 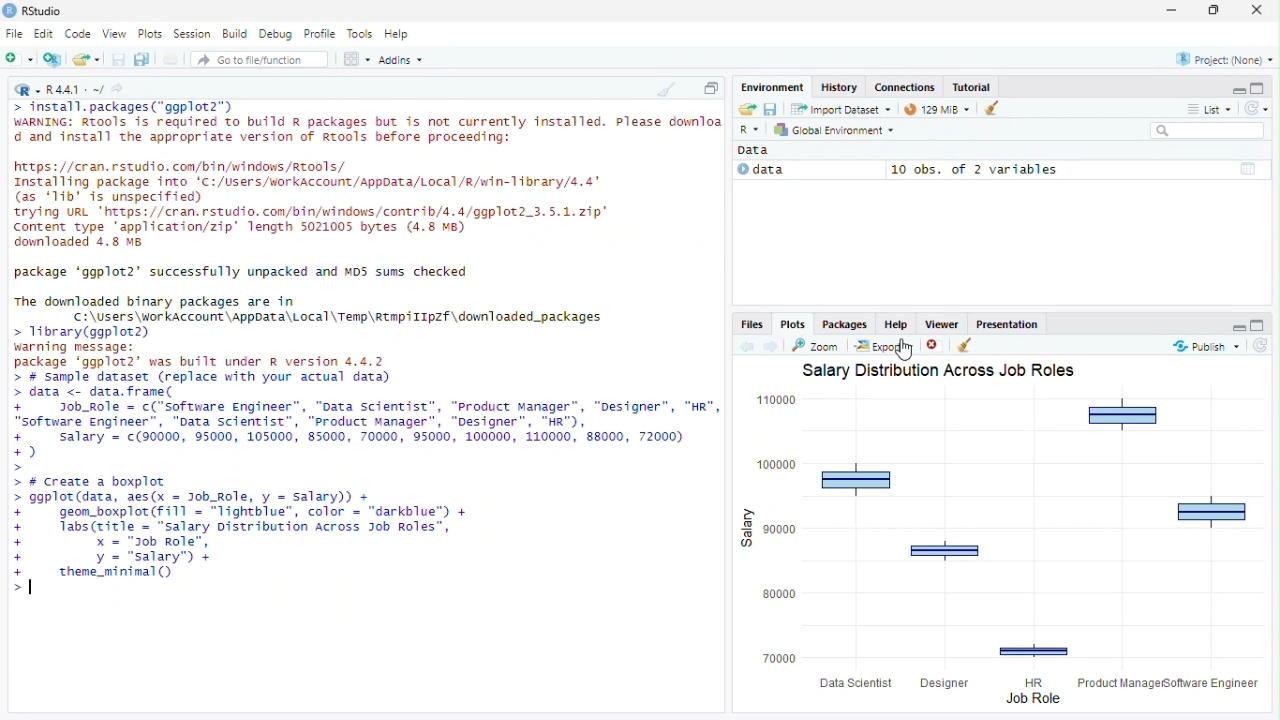 What do you see at coordinates (20, 59) in the screenshot?
I see `New File` at bounding box center [20, 59].